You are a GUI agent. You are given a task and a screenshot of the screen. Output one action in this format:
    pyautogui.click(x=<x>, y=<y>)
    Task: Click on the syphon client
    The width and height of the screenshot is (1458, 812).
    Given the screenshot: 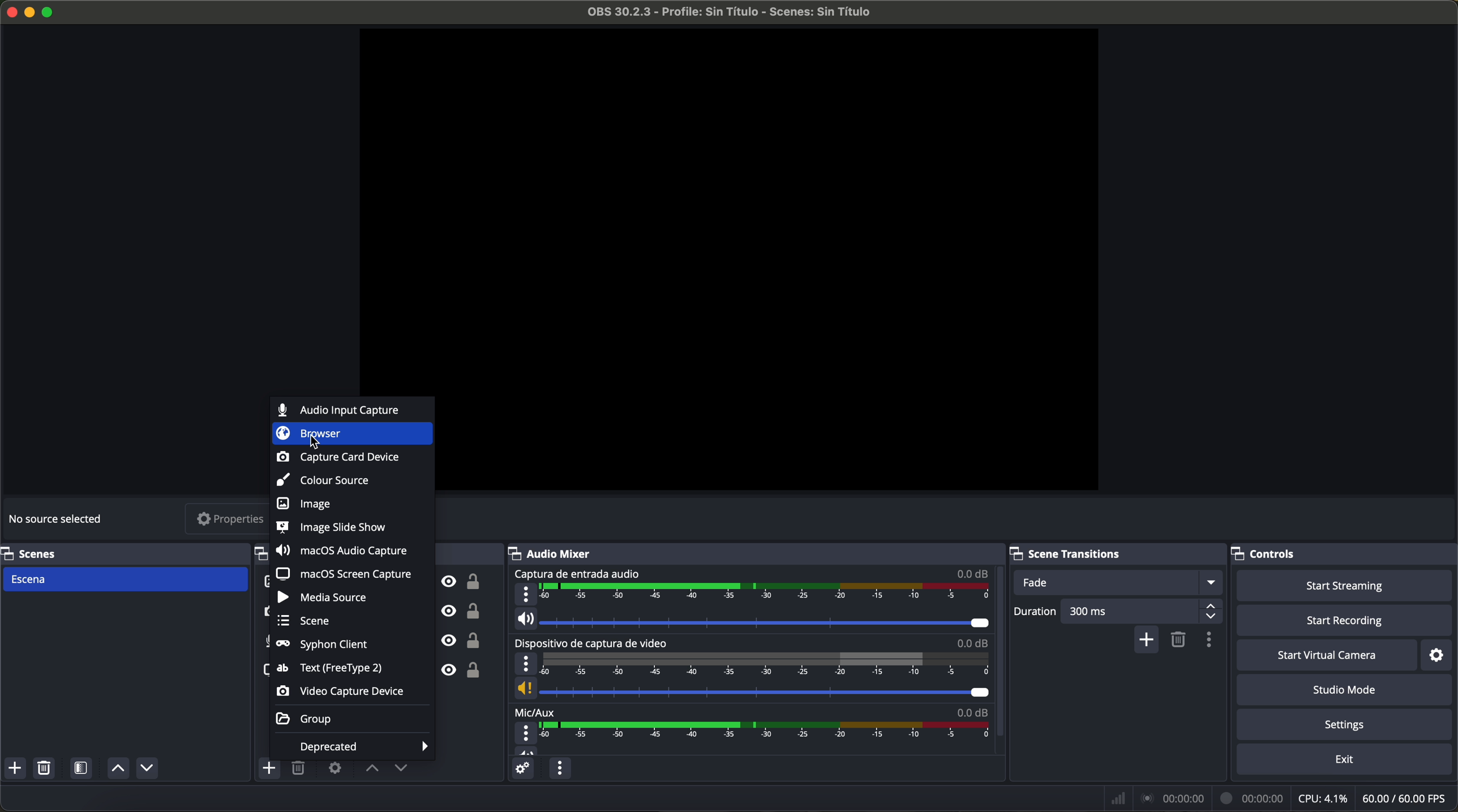 What is the action you would take?
    pyautogui.click(x=322, y=645)
    